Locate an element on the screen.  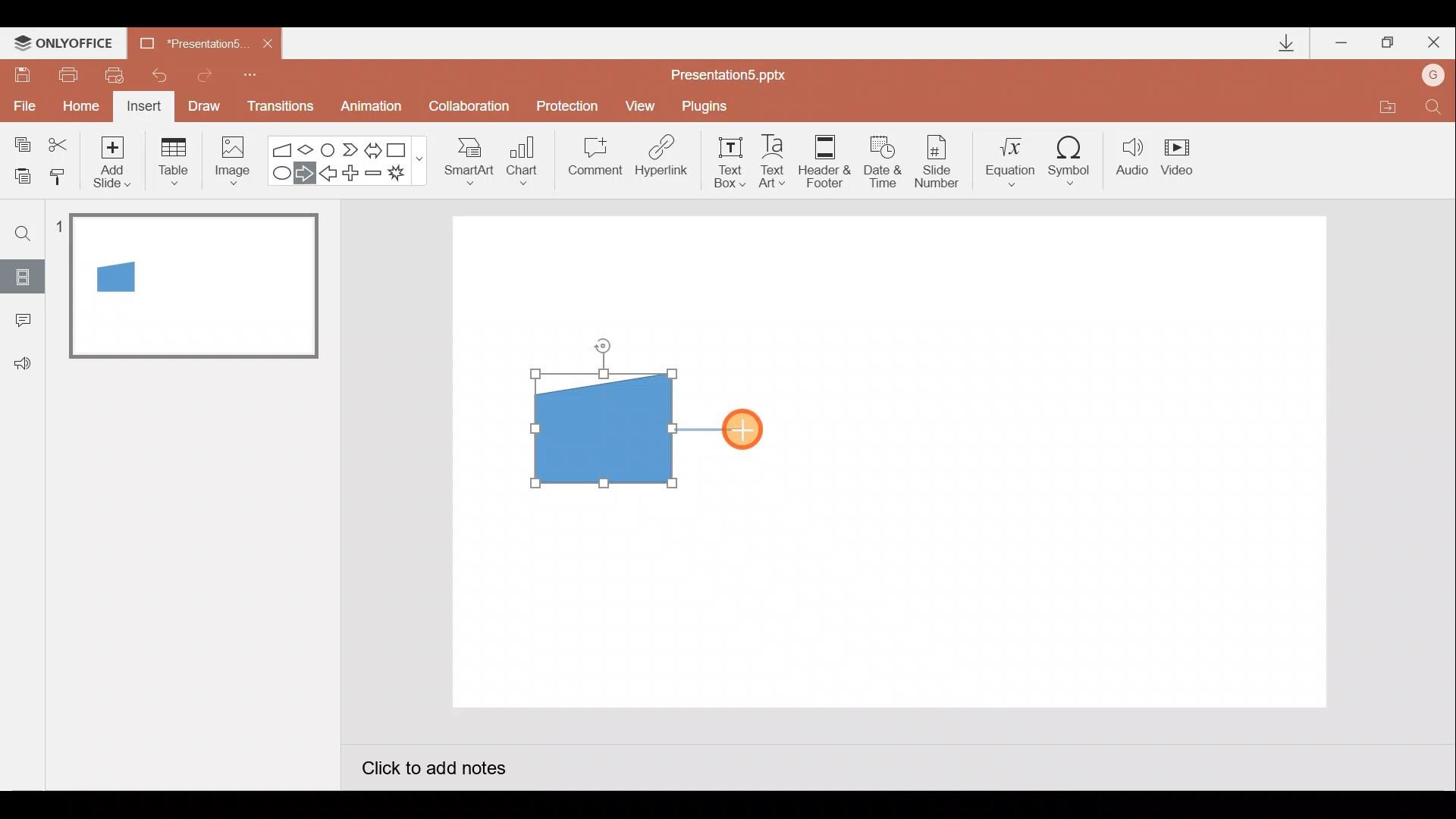
Equation is located at coordinates (1013, 159).